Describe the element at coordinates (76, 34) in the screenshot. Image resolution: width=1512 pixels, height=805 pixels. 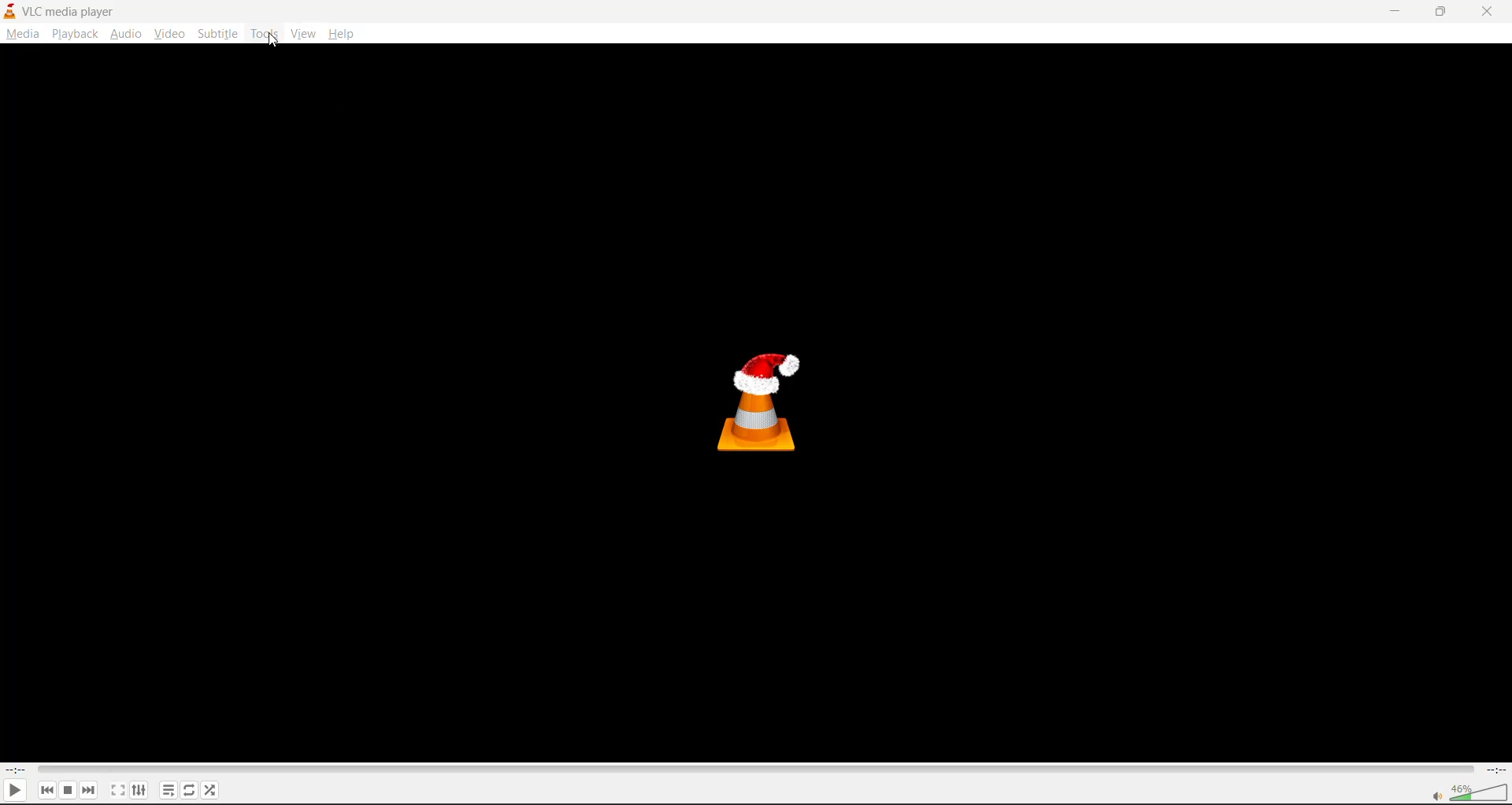
I see `playback` at that location.